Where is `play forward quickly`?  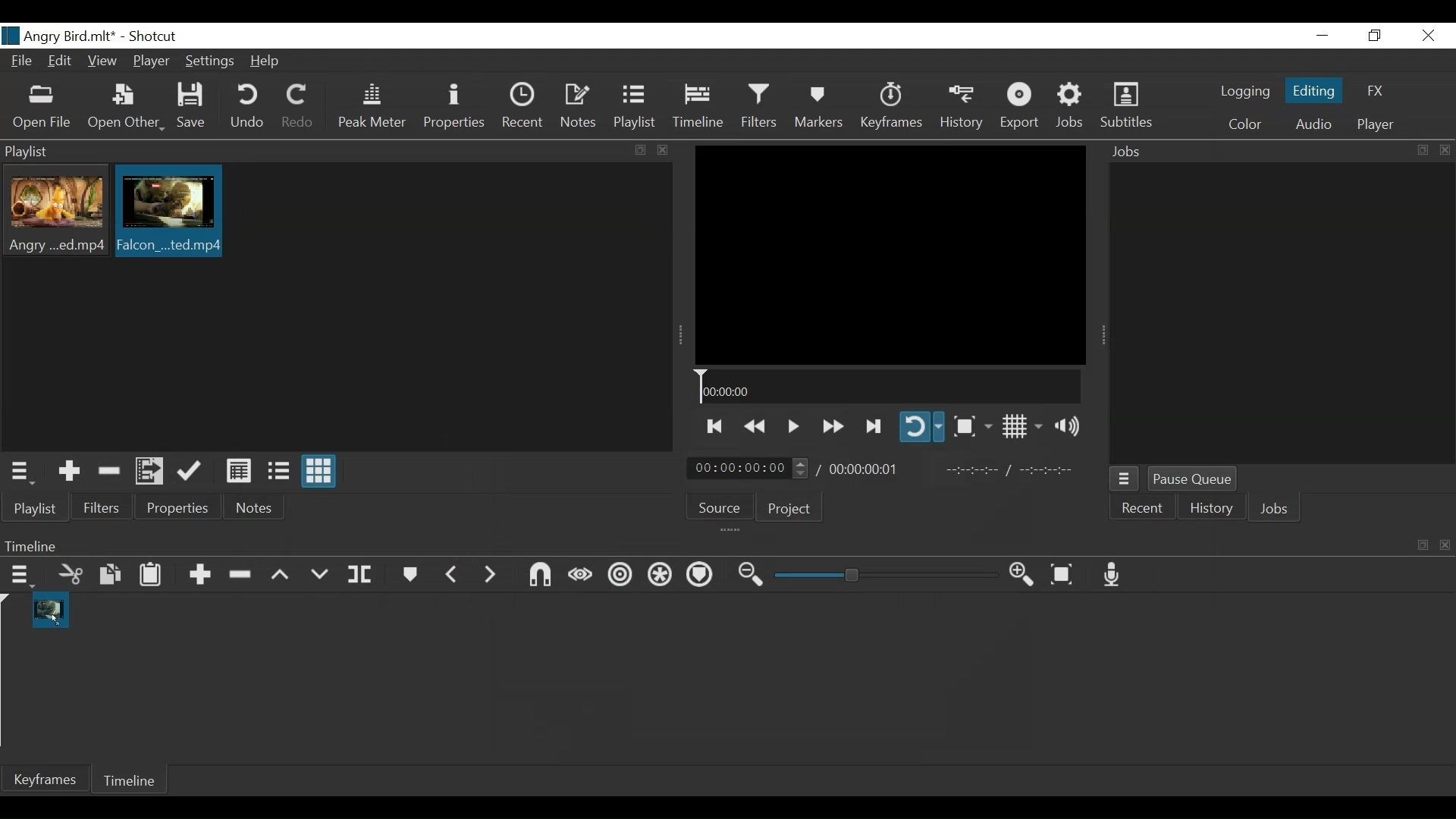
play forward quickly is located at coordinates (831, 428).